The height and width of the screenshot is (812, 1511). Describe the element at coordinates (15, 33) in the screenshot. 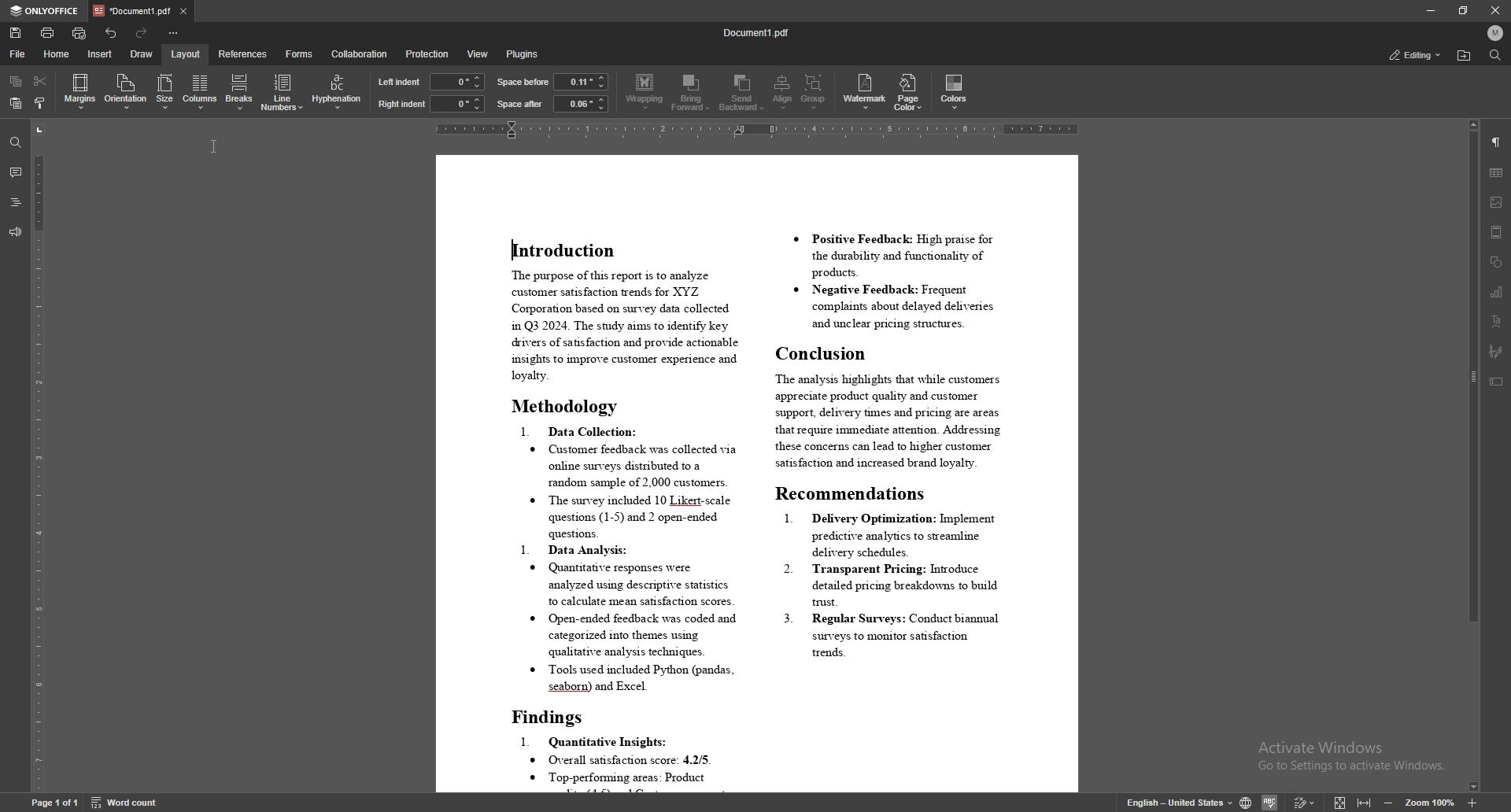

I see `save` at that location.